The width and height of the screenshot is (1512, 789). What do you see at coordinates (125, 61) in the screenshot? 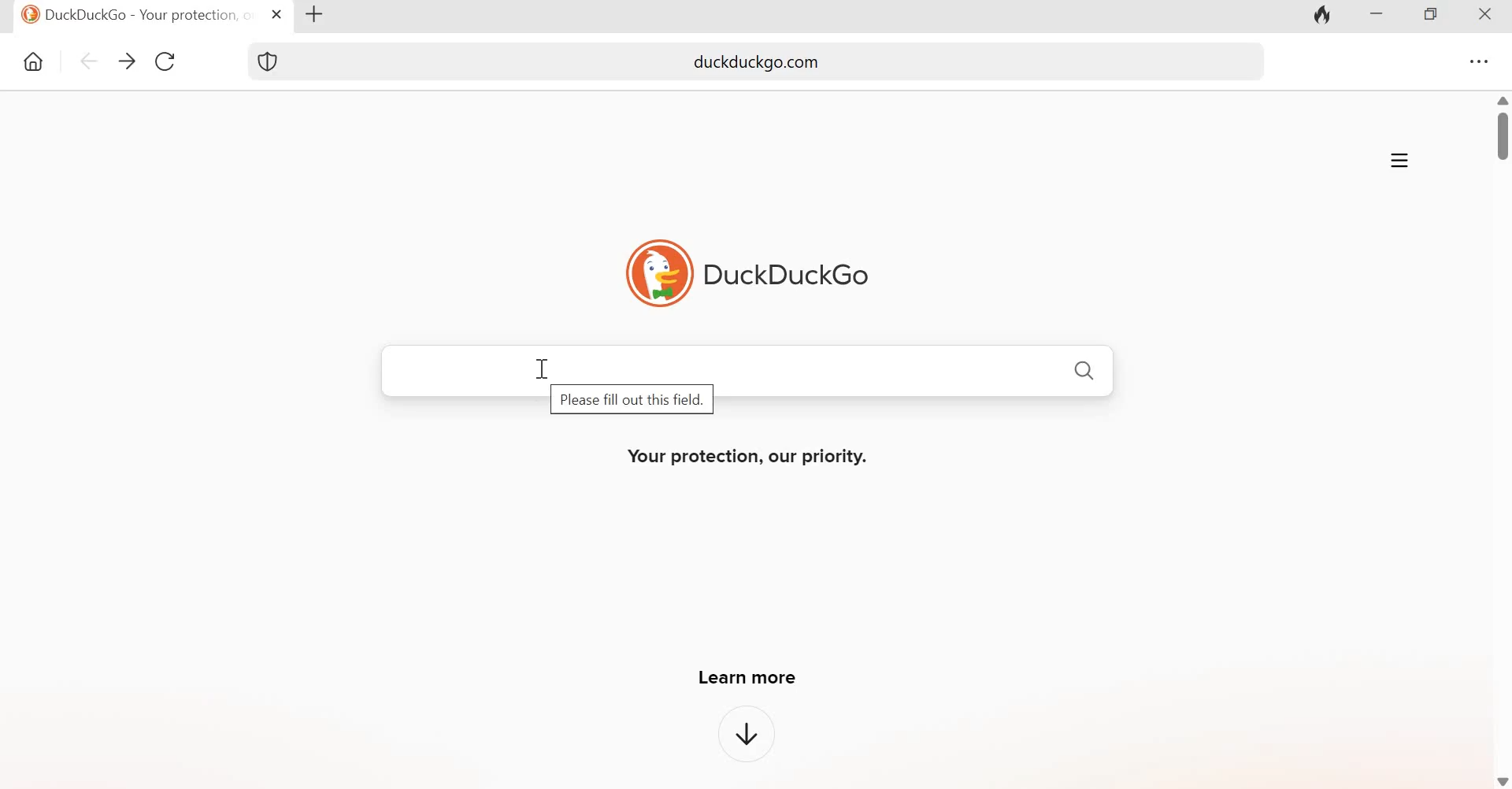
I see `go forward one page` at bounding box center [125, 61].